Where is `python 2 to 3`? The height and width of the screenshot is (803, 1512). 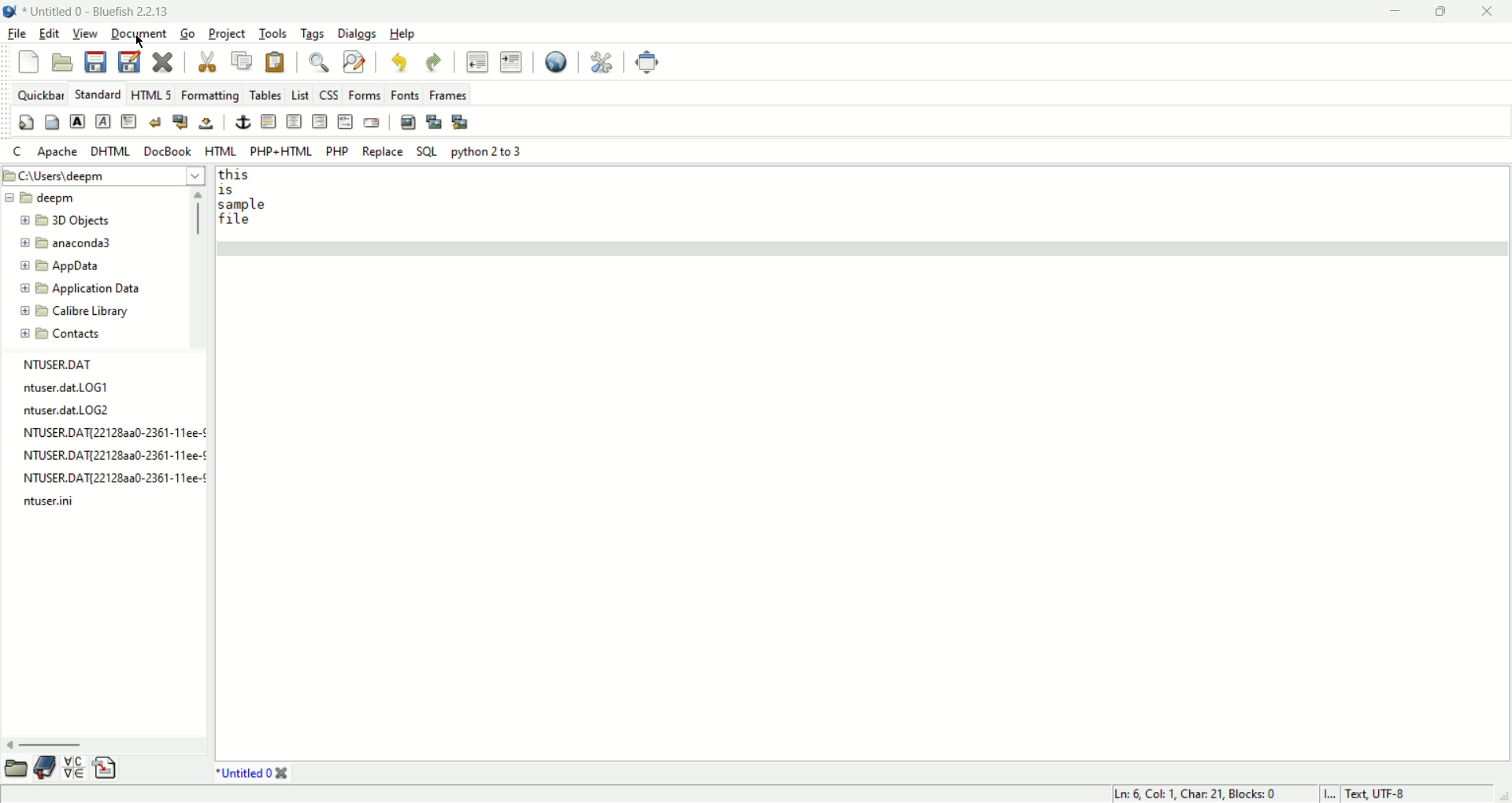 python 2 to 3 is located at coordinates (487, 154).